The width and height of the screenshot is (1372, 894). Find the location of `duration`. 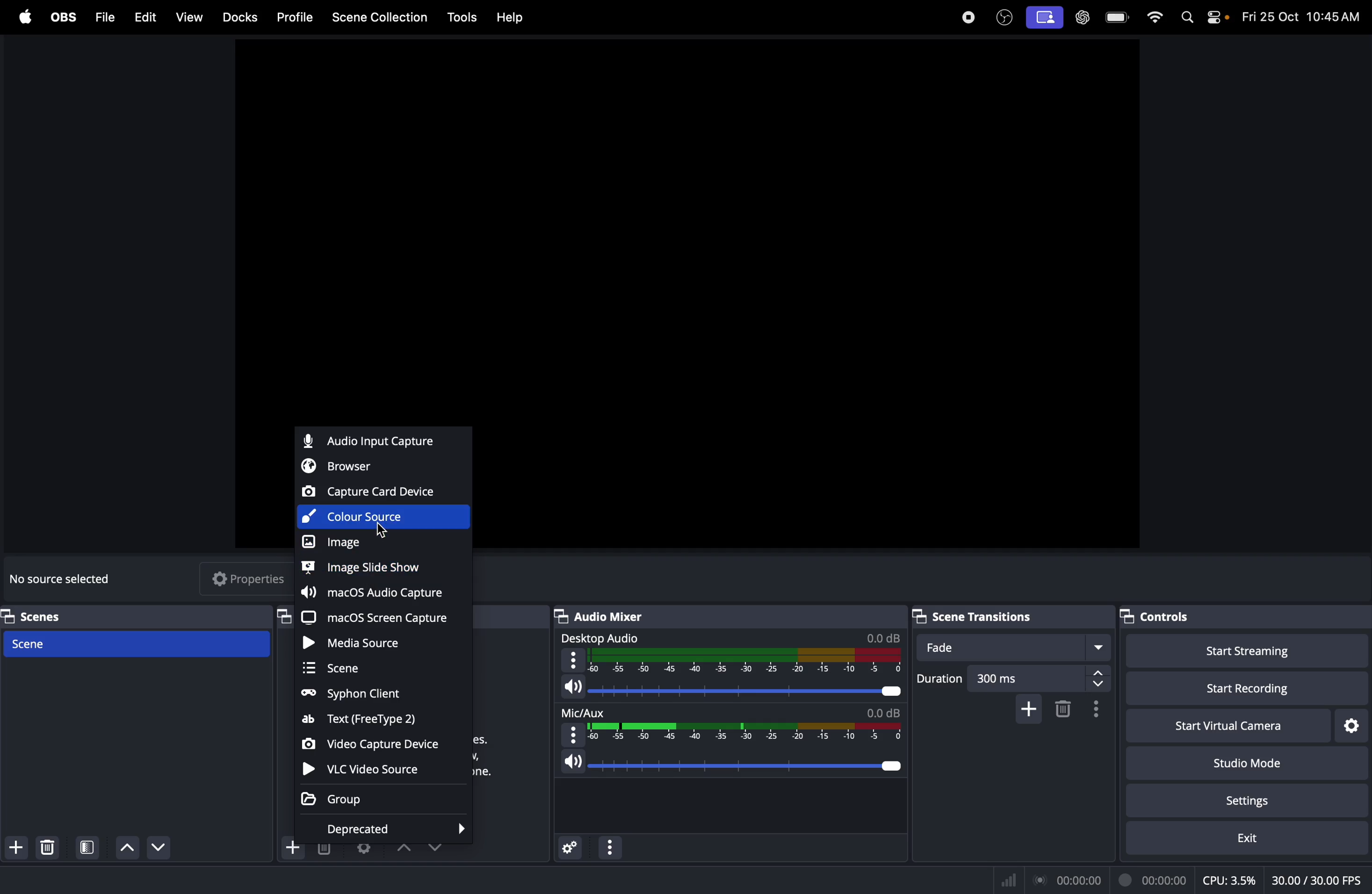

duration is located at coordinates (940, 681).